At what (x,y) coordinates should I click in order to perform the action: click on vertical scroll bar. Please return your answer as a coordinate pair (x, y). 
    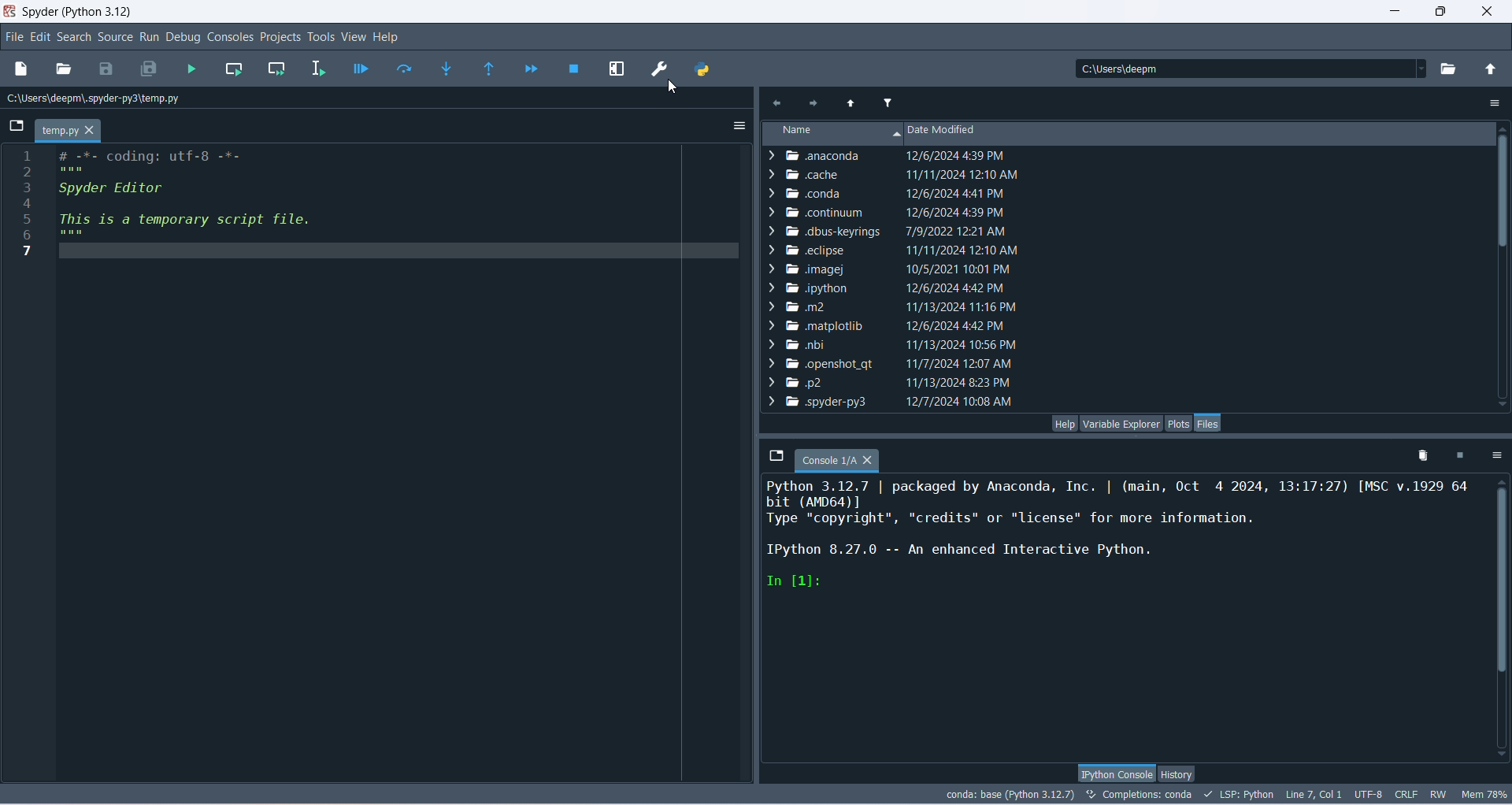
    Looking at the image, I should click on (1503, 265).